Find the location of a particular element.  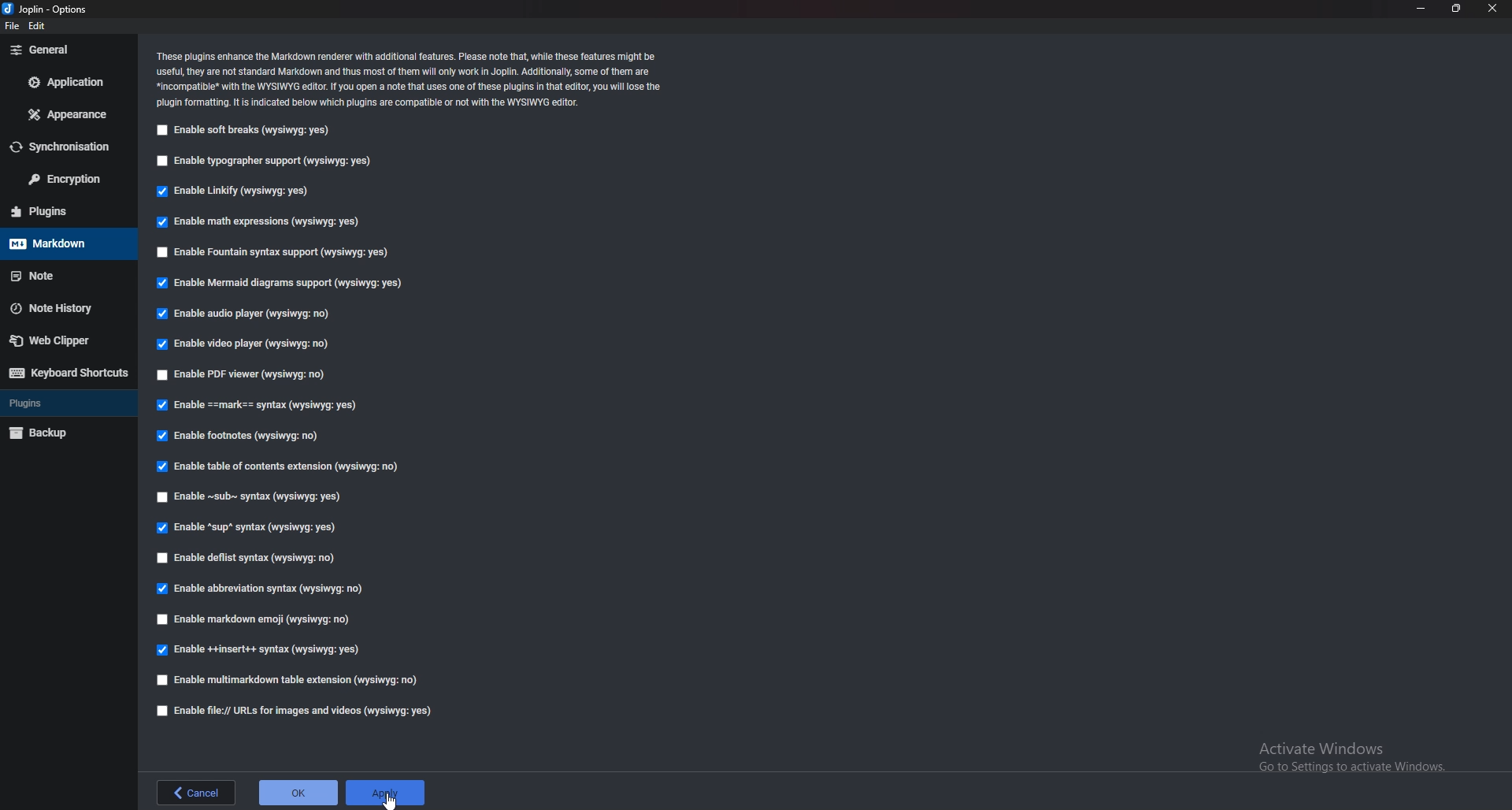

Enable fountain syntax support is located at coordinates (272, 251).